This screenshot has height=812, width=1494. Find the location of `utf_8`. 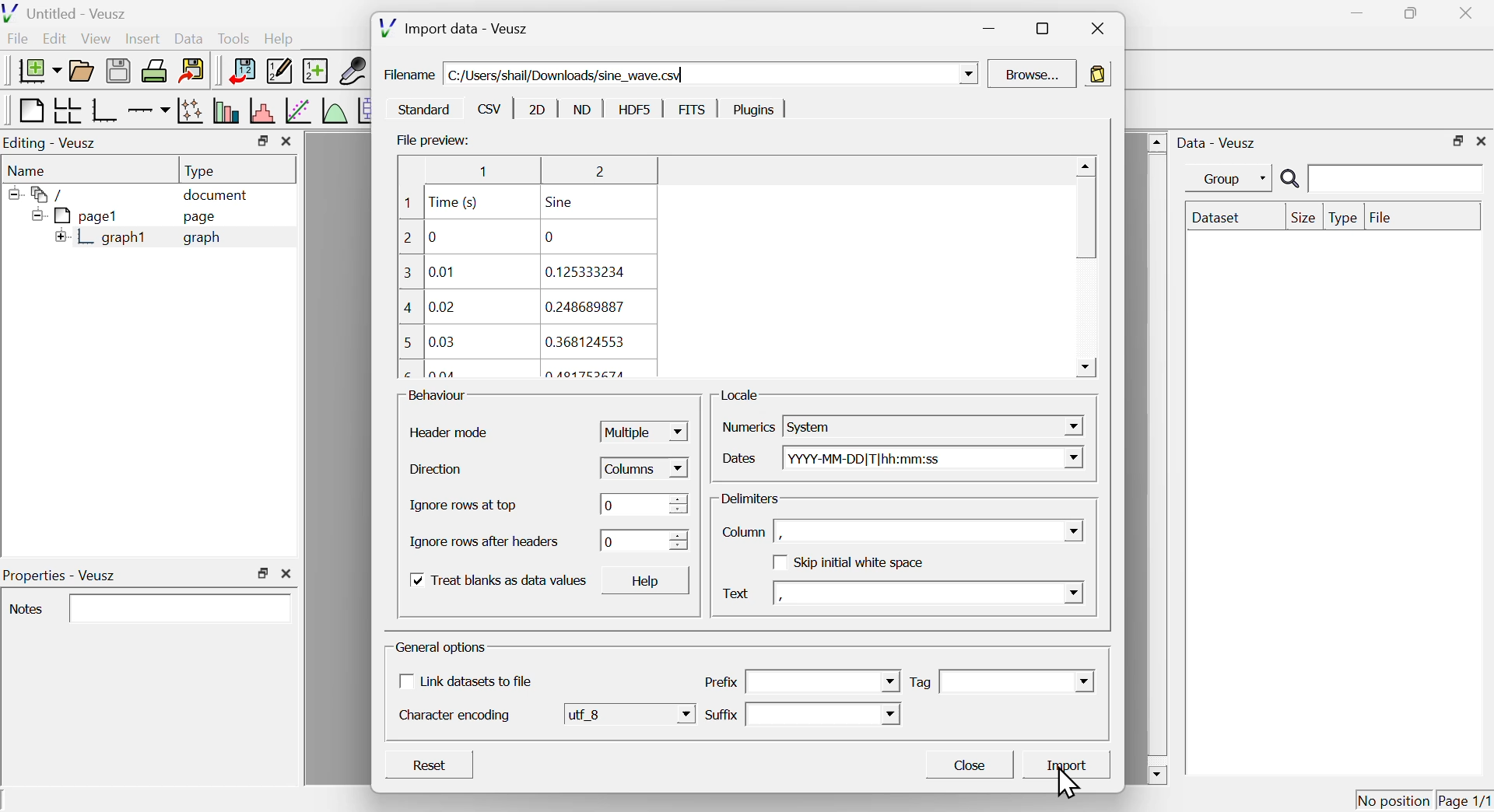

utf_8 is located at coordinates (630, 715).